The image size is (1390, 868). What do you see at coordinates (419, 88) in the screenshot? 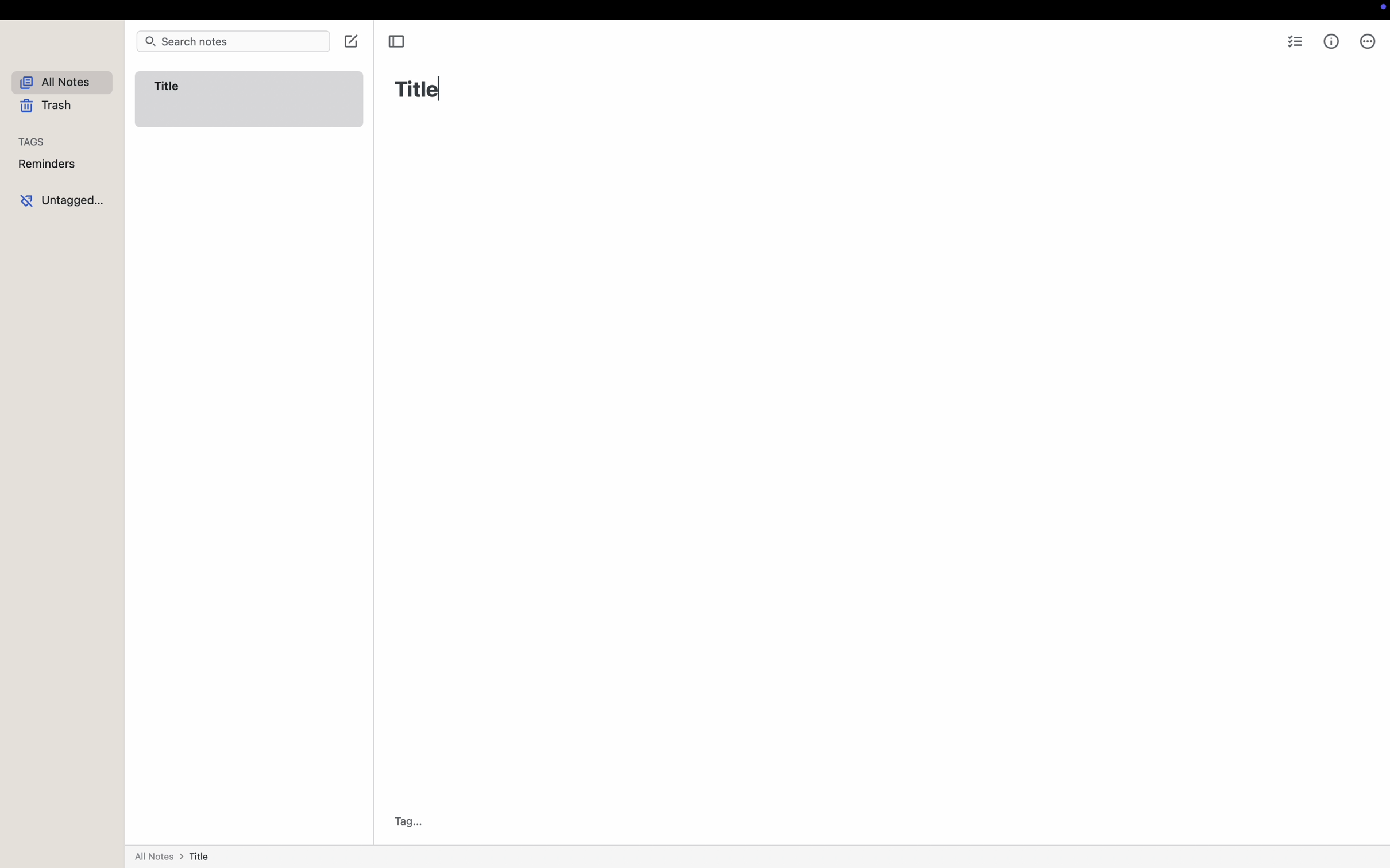
I see `Title` at bounding box center [419, 88].